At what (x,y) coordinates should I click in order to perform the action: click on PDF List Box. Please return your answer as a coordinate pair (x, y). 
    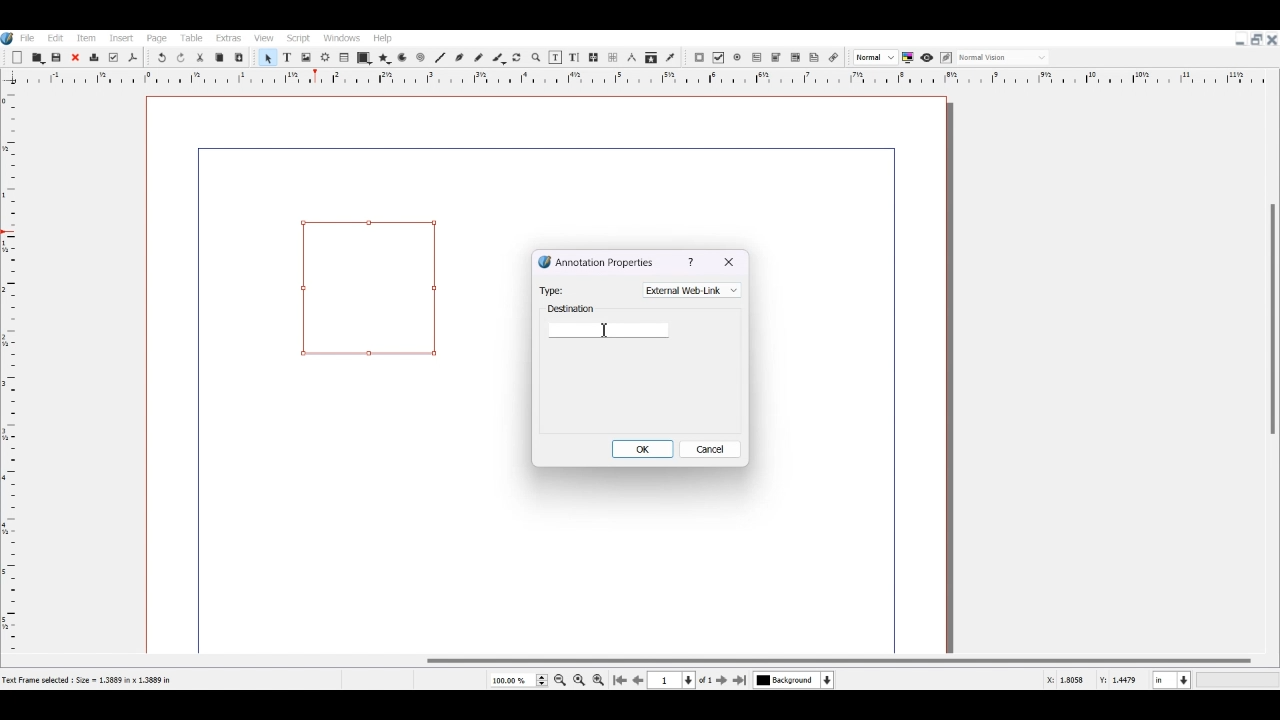
    Looking at the image, I should click on (795, 58).